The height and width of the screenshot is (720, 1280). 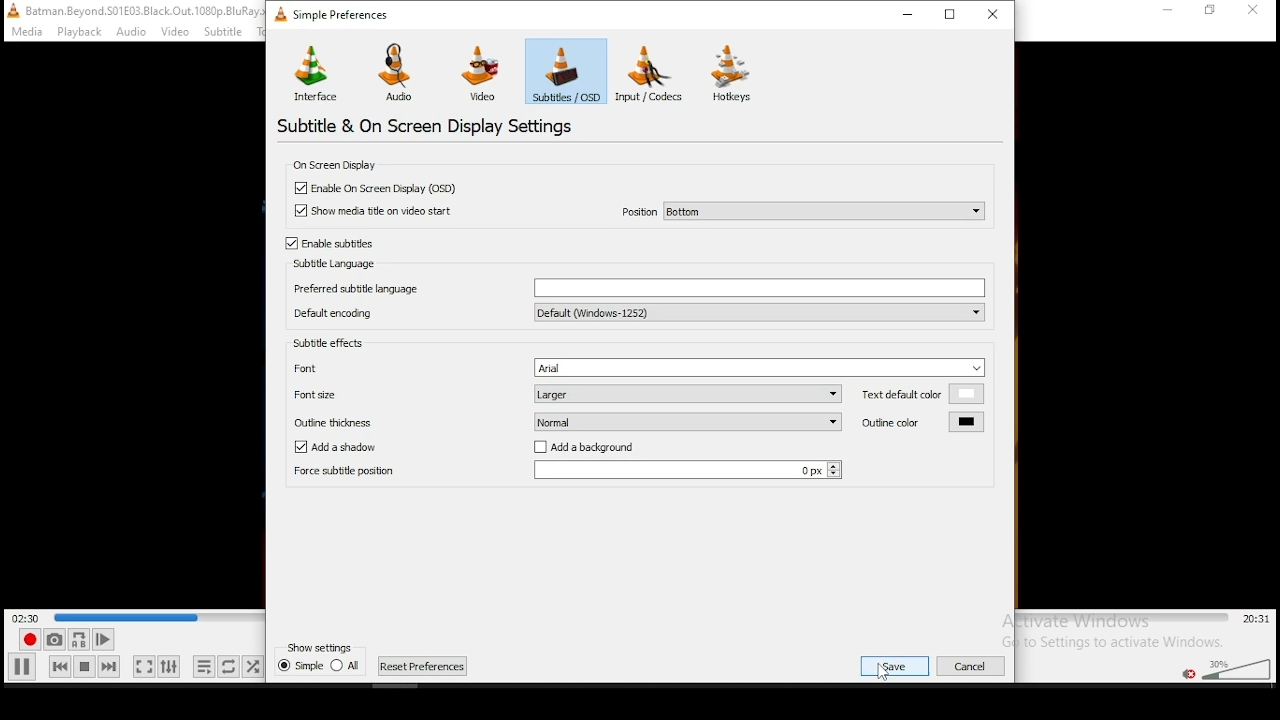 I want to click on record, so click(x=30, y=639).